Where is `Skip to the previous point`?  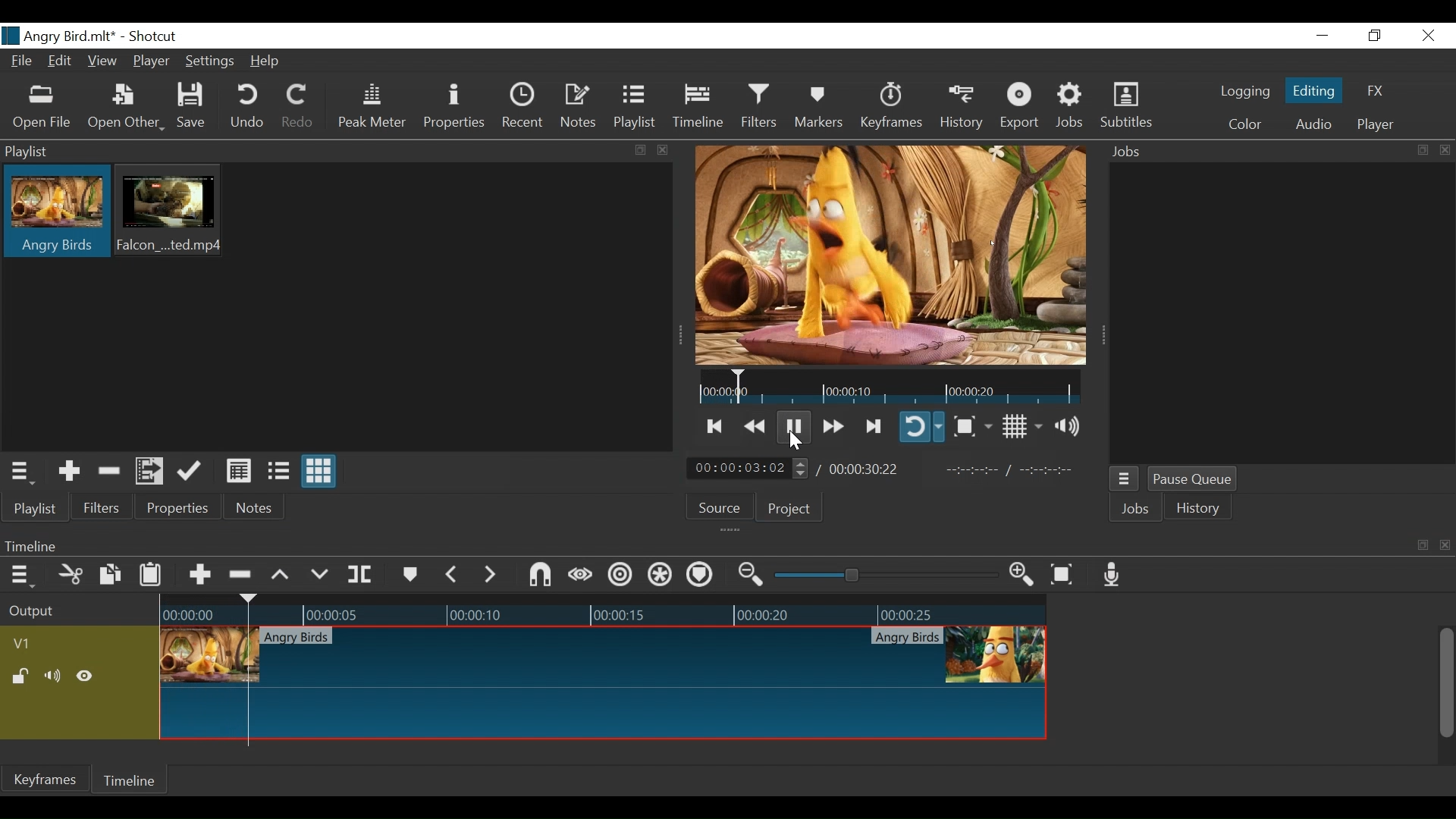
Skip to the previous point is located at coordinates (715, 425).